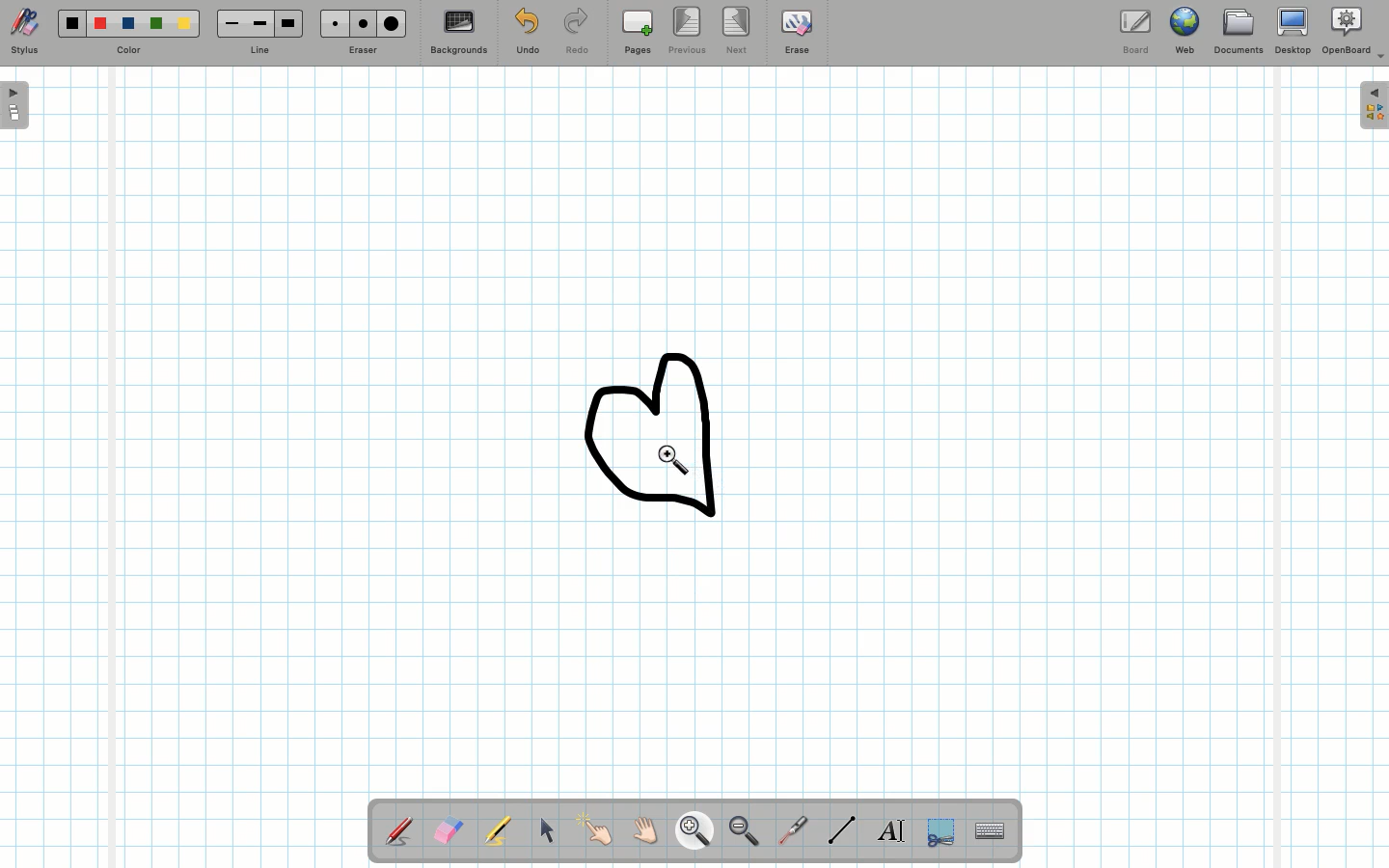  Describe the element at coordinates (364, 31) in the screenshot. I see `Eraser` at that location.